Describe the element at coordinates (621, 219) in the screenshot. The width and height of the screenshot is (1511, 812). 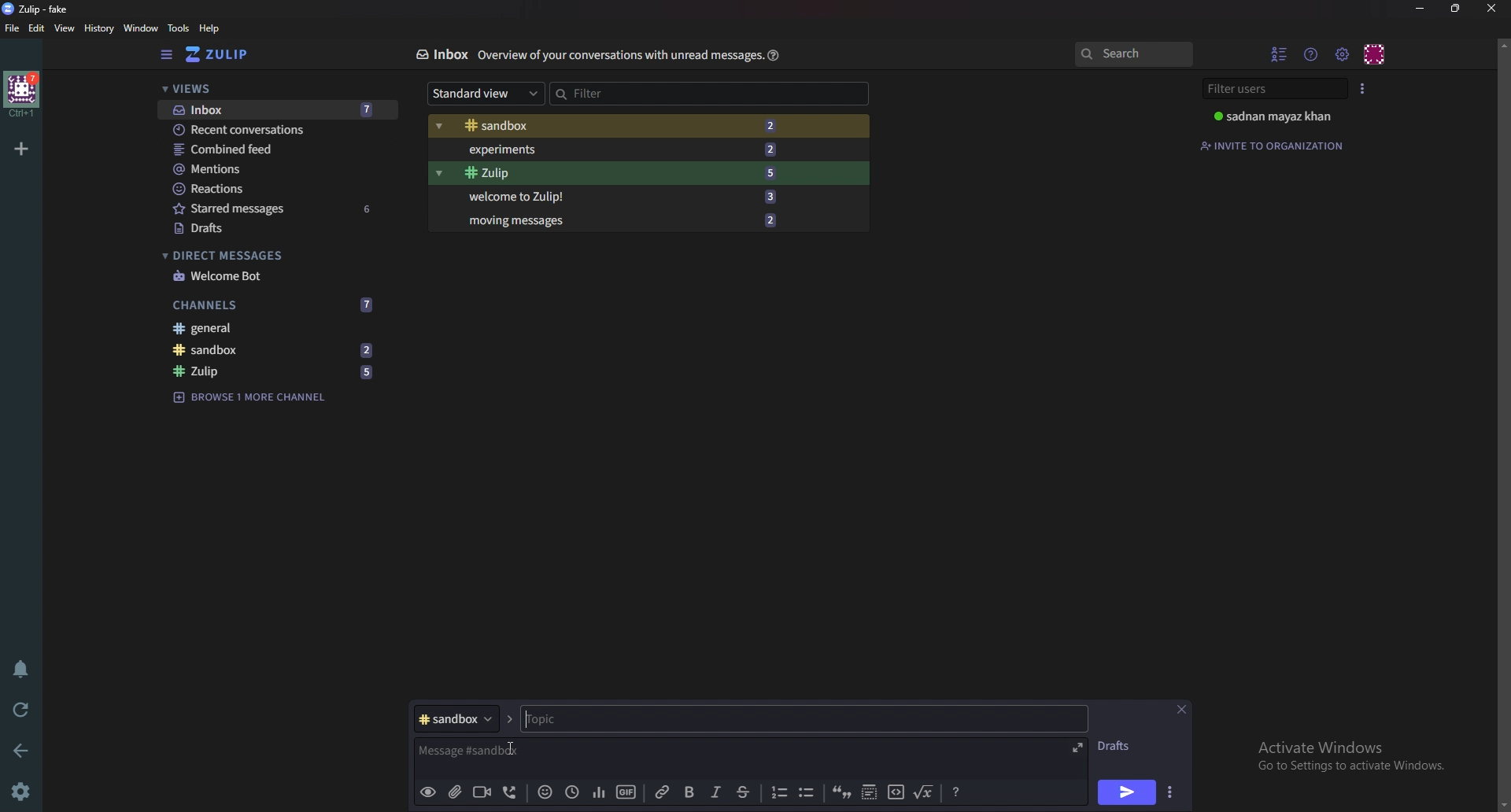
I see `Moving messages` at that location.